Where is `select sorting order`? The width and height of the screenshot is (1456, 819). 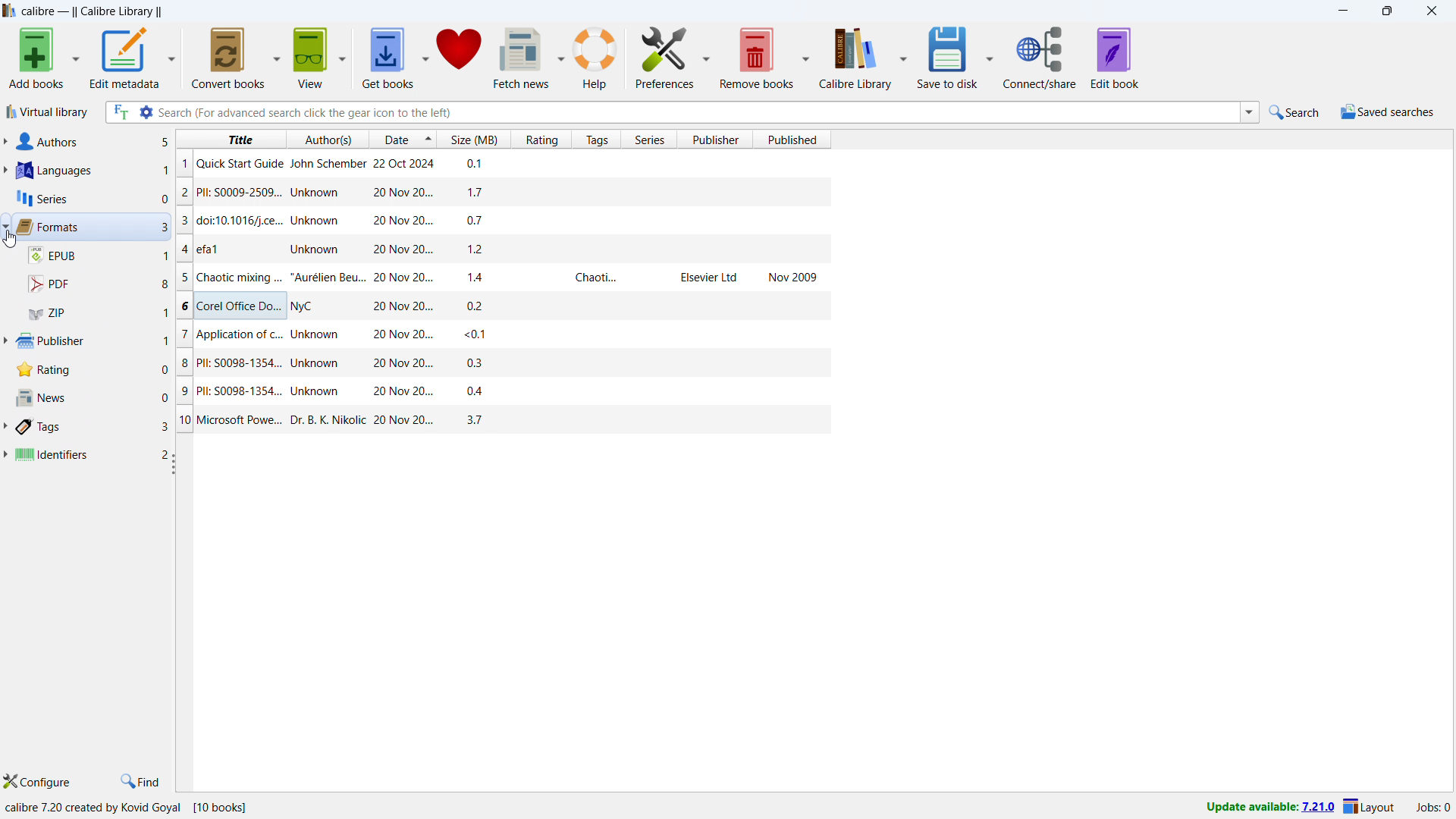
select sorting order is located at coordinates (426, 138).